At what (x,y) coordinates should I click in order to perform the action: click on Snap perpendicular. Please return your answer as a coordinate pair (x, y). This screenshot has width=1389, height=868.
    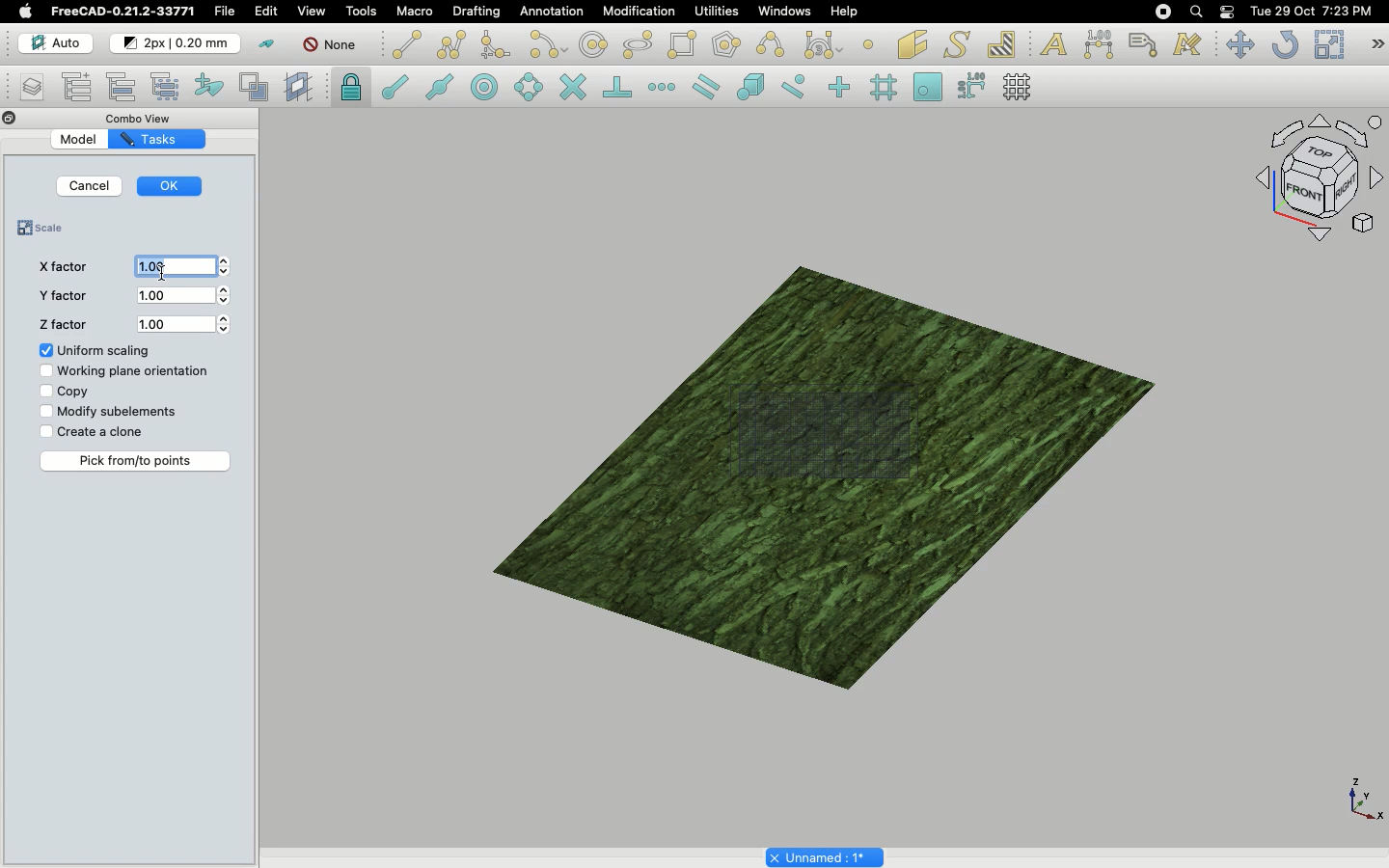
    Looking at the image, I should click on (614, 86).